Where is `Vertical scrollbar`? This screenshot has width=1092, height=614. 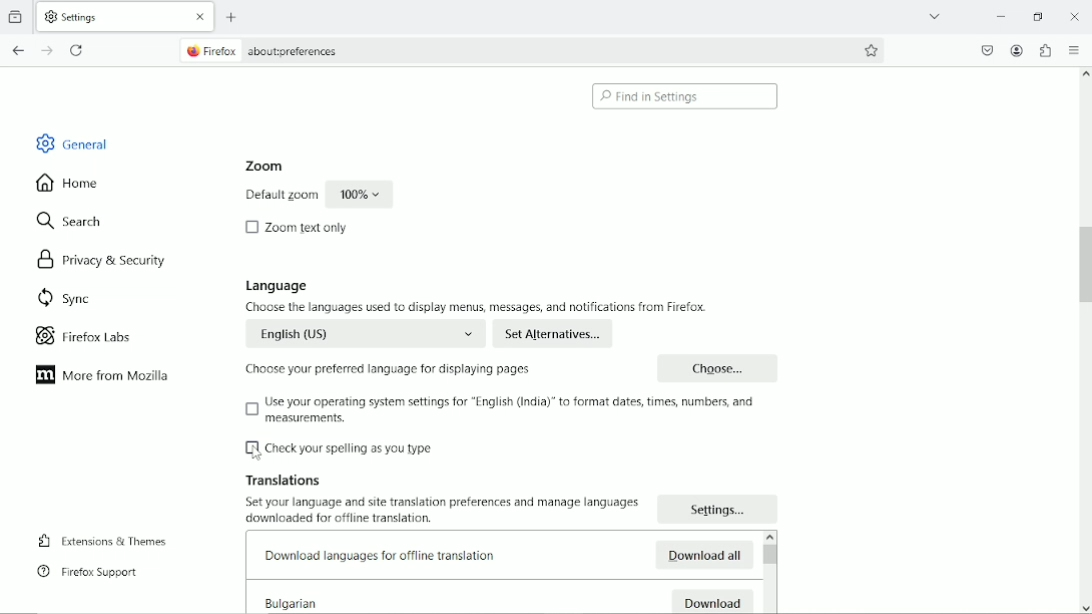 Vertical scrollbar is located at coordinates (1083, 265).